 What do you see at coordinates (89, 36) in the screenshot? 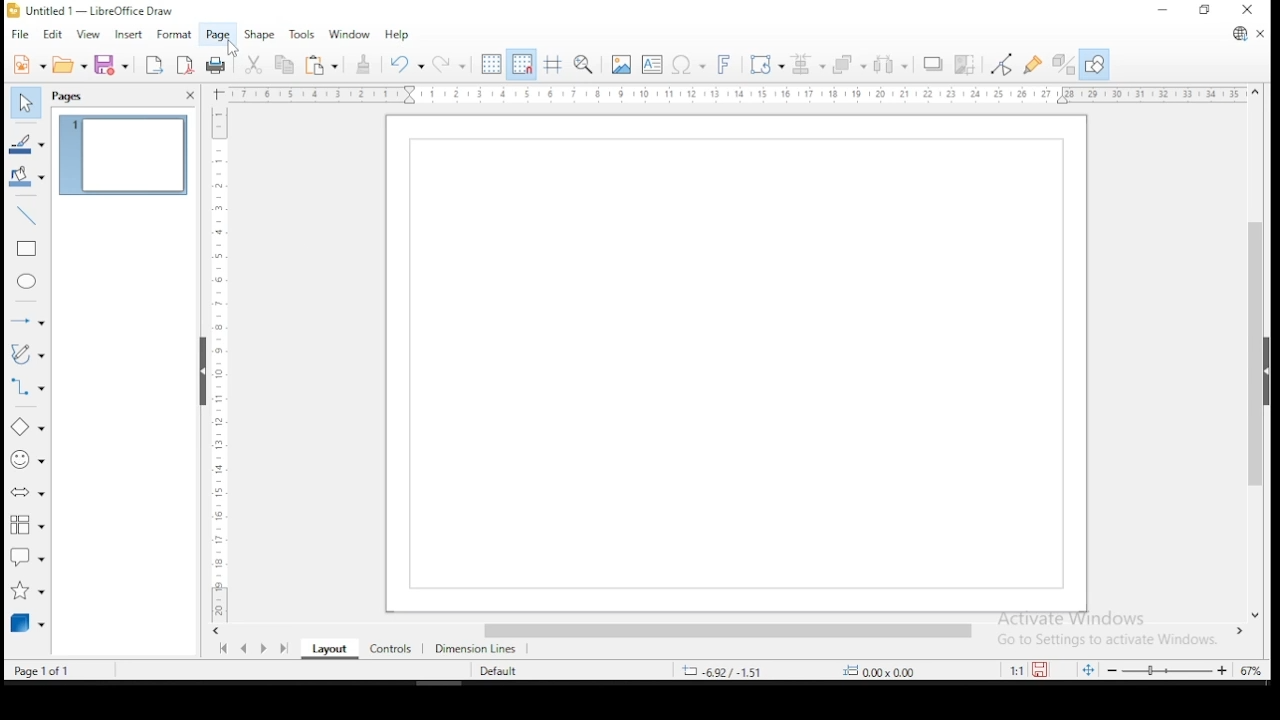
I see `view` at bounding box center [89, 36].